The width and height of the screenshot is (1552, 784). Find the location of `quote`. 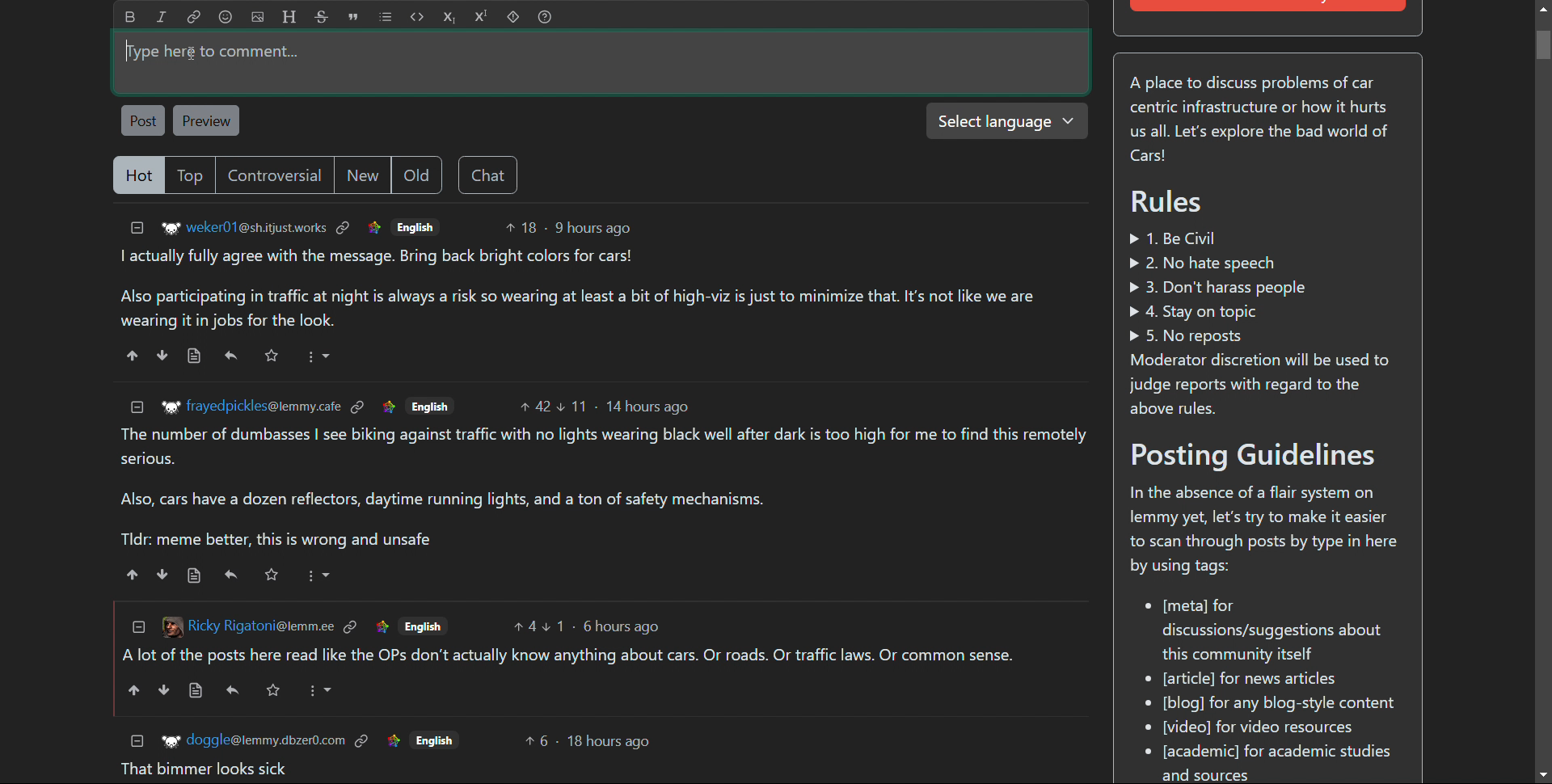

quote is located at coordinates (354, 17).